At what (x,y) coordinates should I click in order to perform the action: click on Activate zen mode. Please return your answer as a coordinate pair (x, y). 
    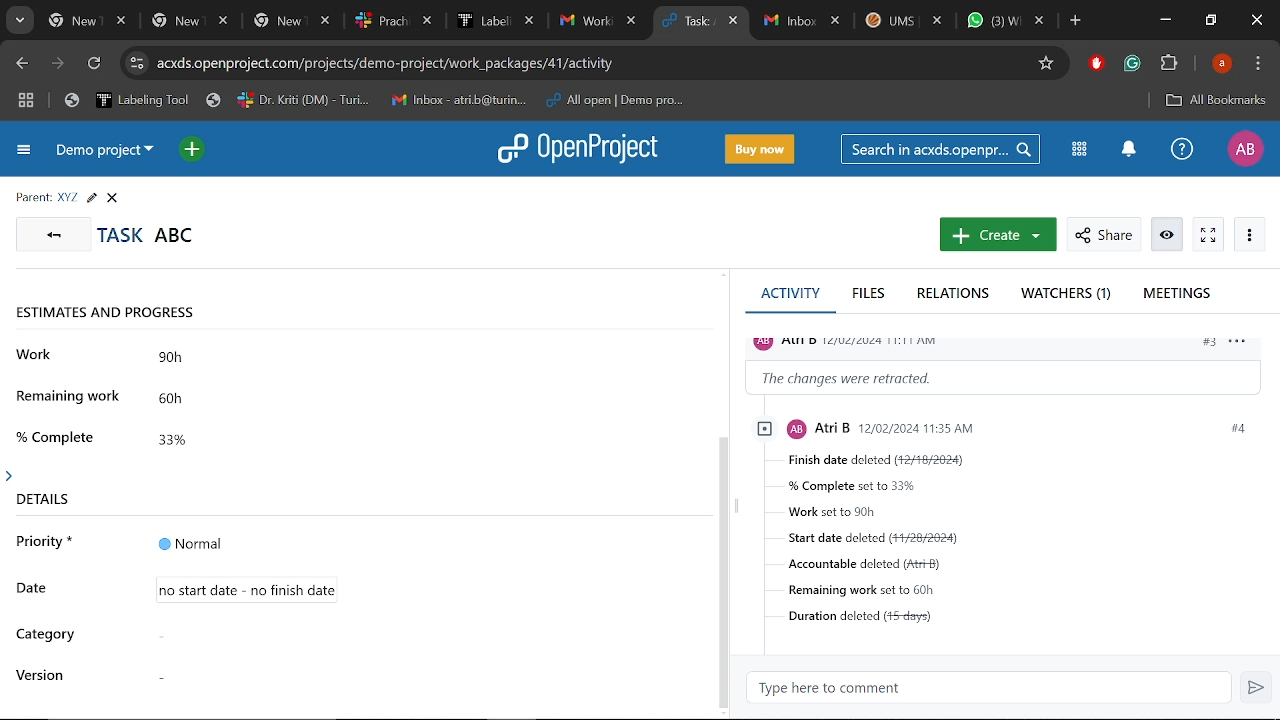
    Looking at the image, I should click on (1208, 235).